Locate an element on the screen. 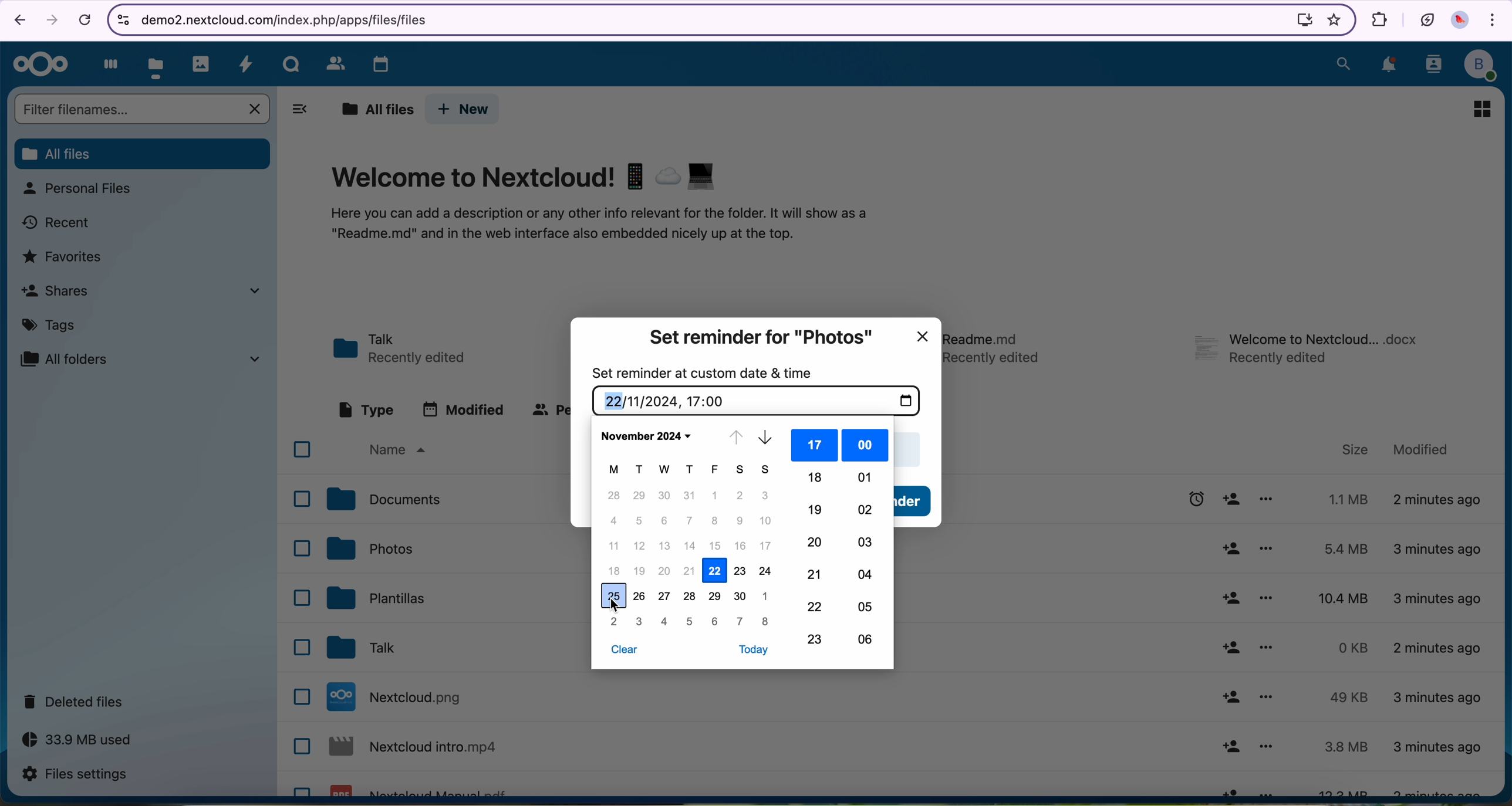  Talk folder is located at coordinates (404, 347).